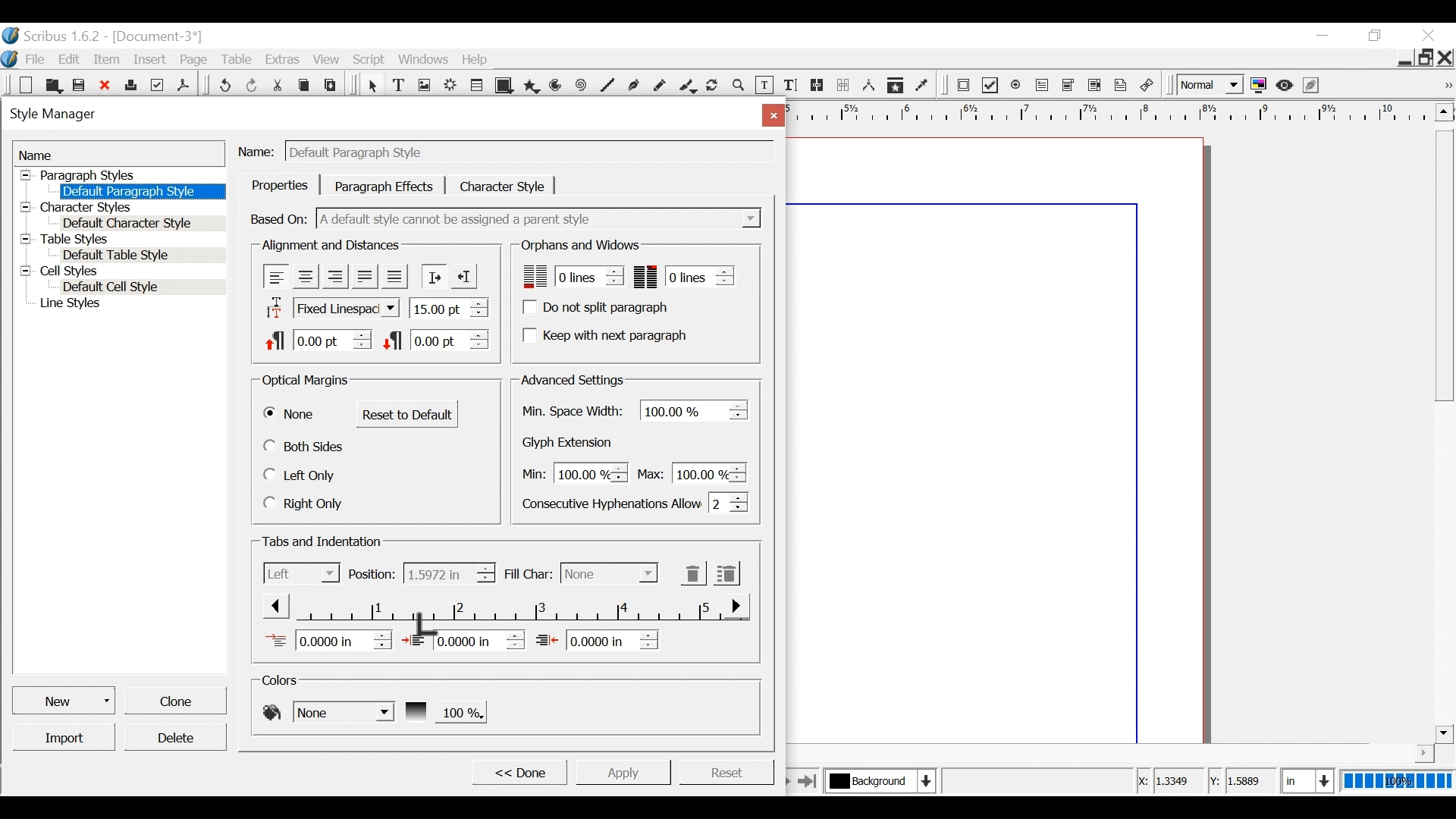  I want to click on Close, so click(1446, 57).